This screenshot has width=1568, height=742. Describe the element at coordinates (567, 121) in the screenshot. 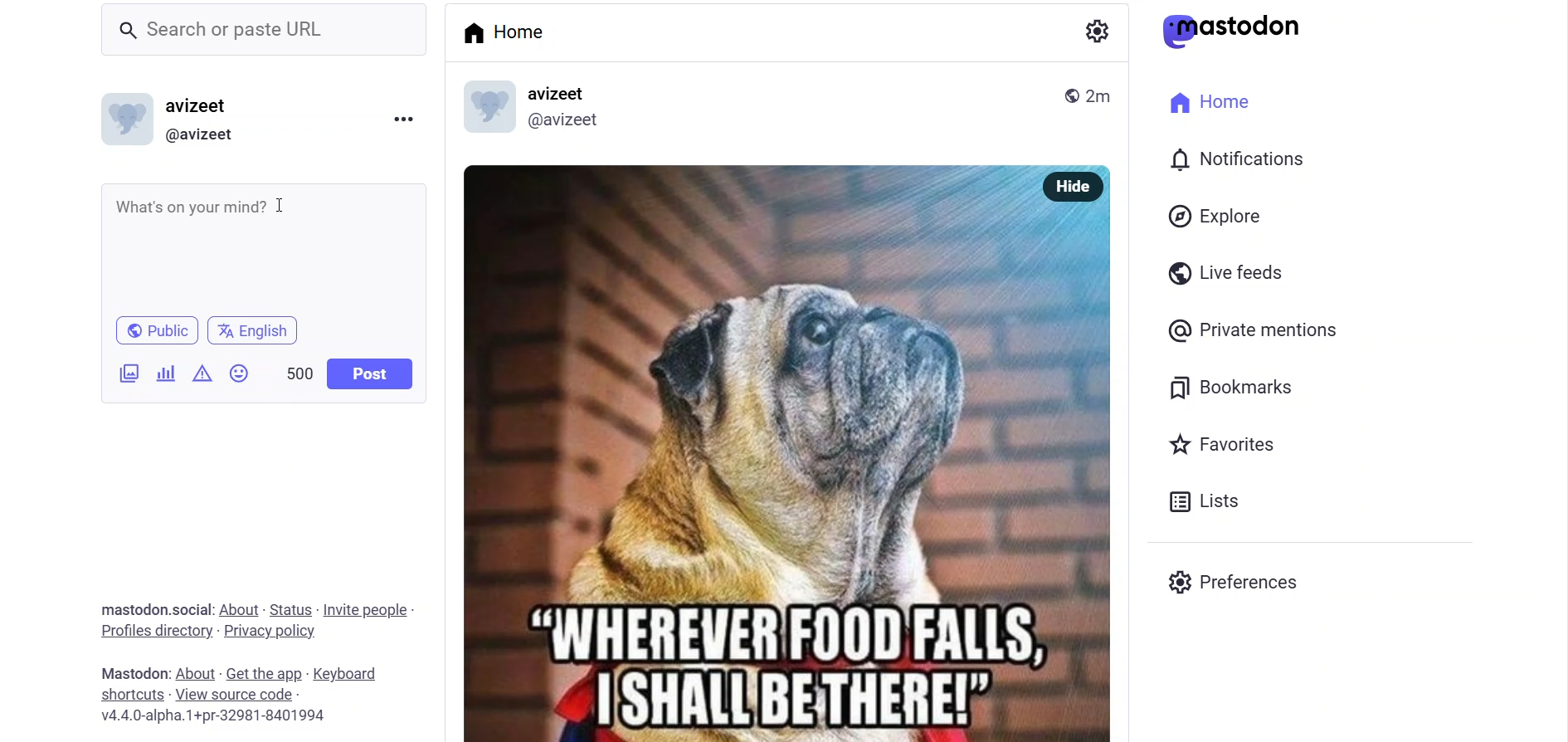

I see `@avizeet` at that location.